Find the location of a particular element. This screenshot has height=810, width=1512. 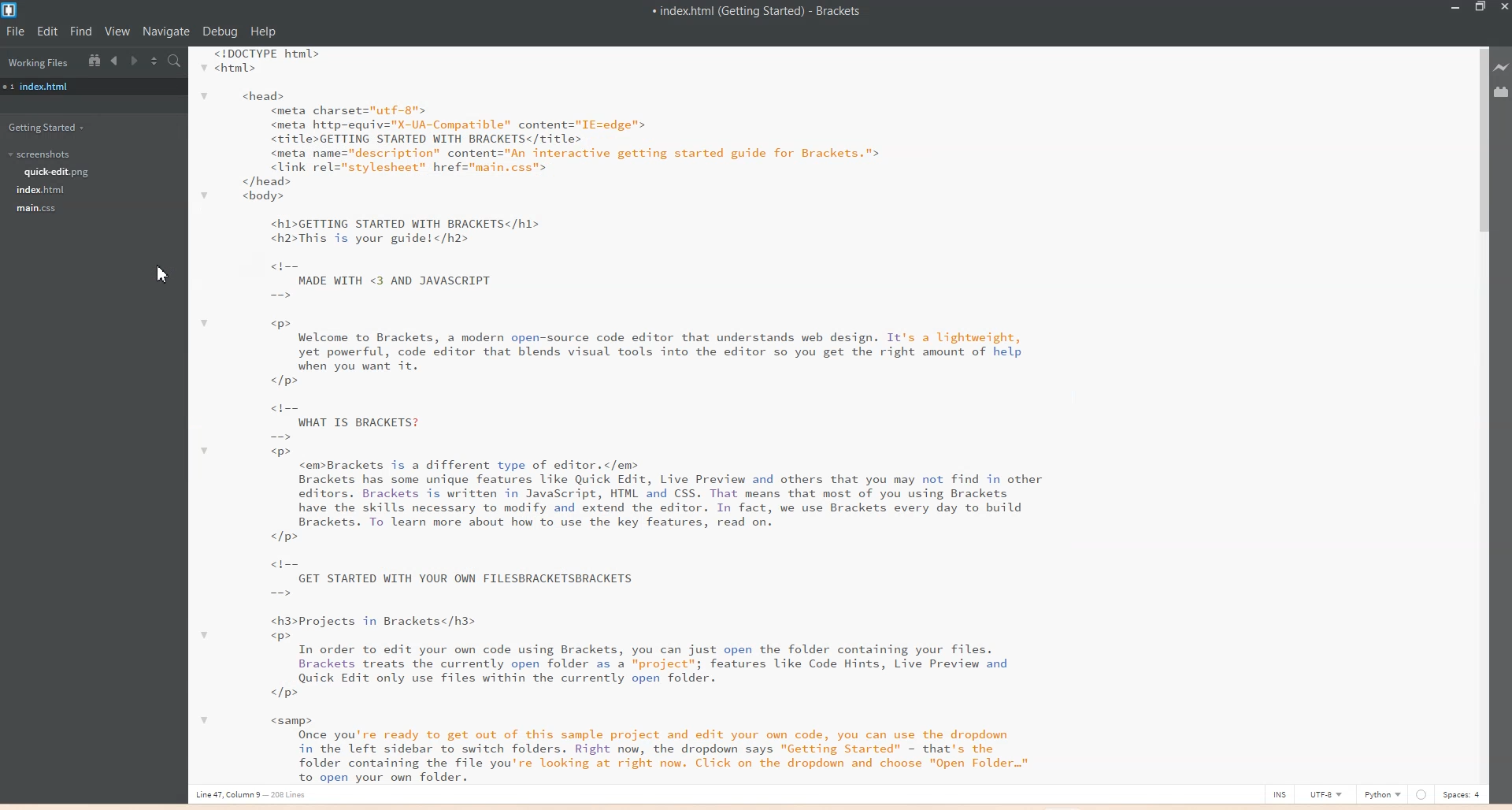

File is located at coordinates (16, 32).